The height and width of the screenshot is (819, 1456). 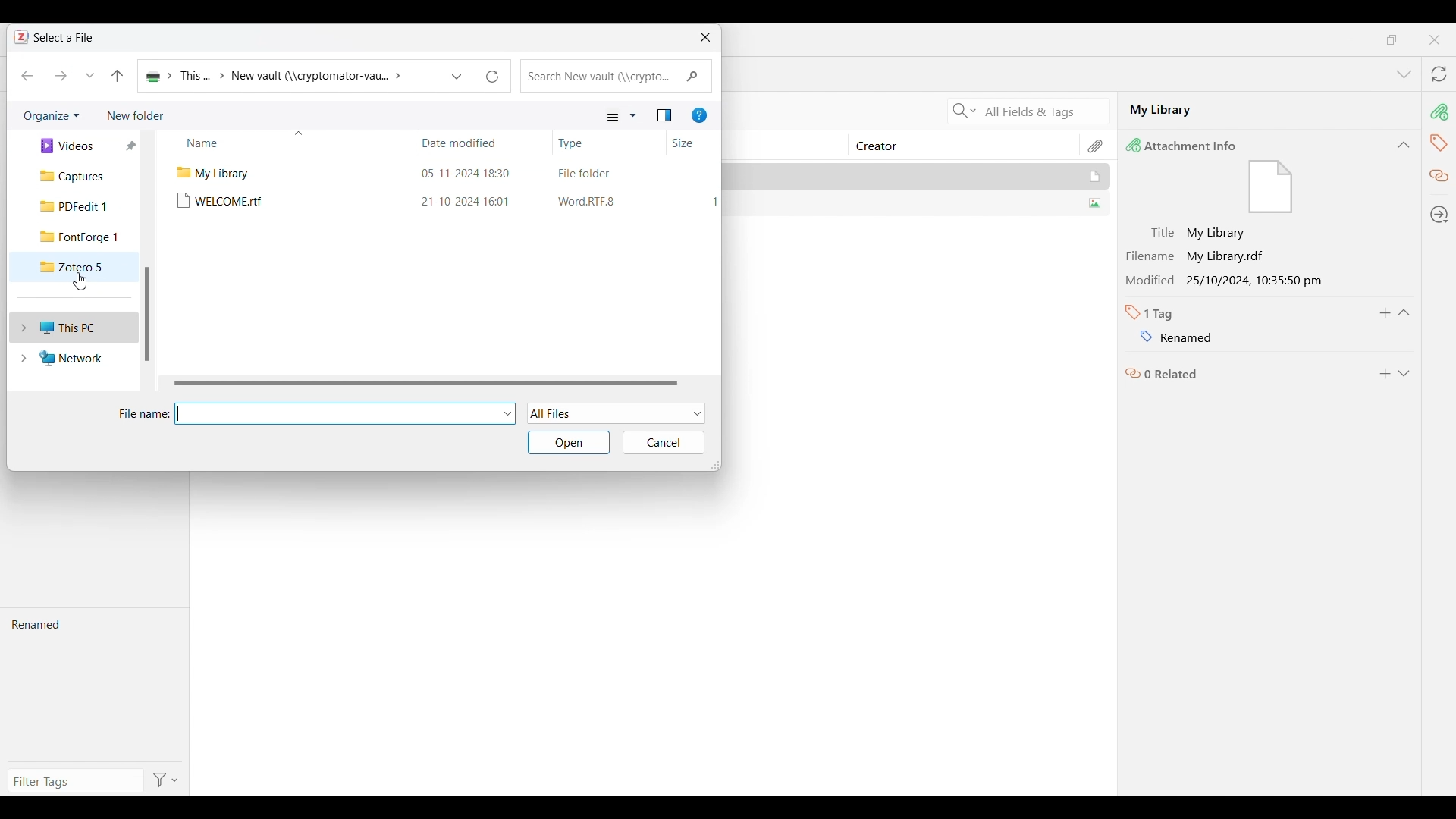 I want to click on Number of tabs in selected file, so click(x=1154, y=313).